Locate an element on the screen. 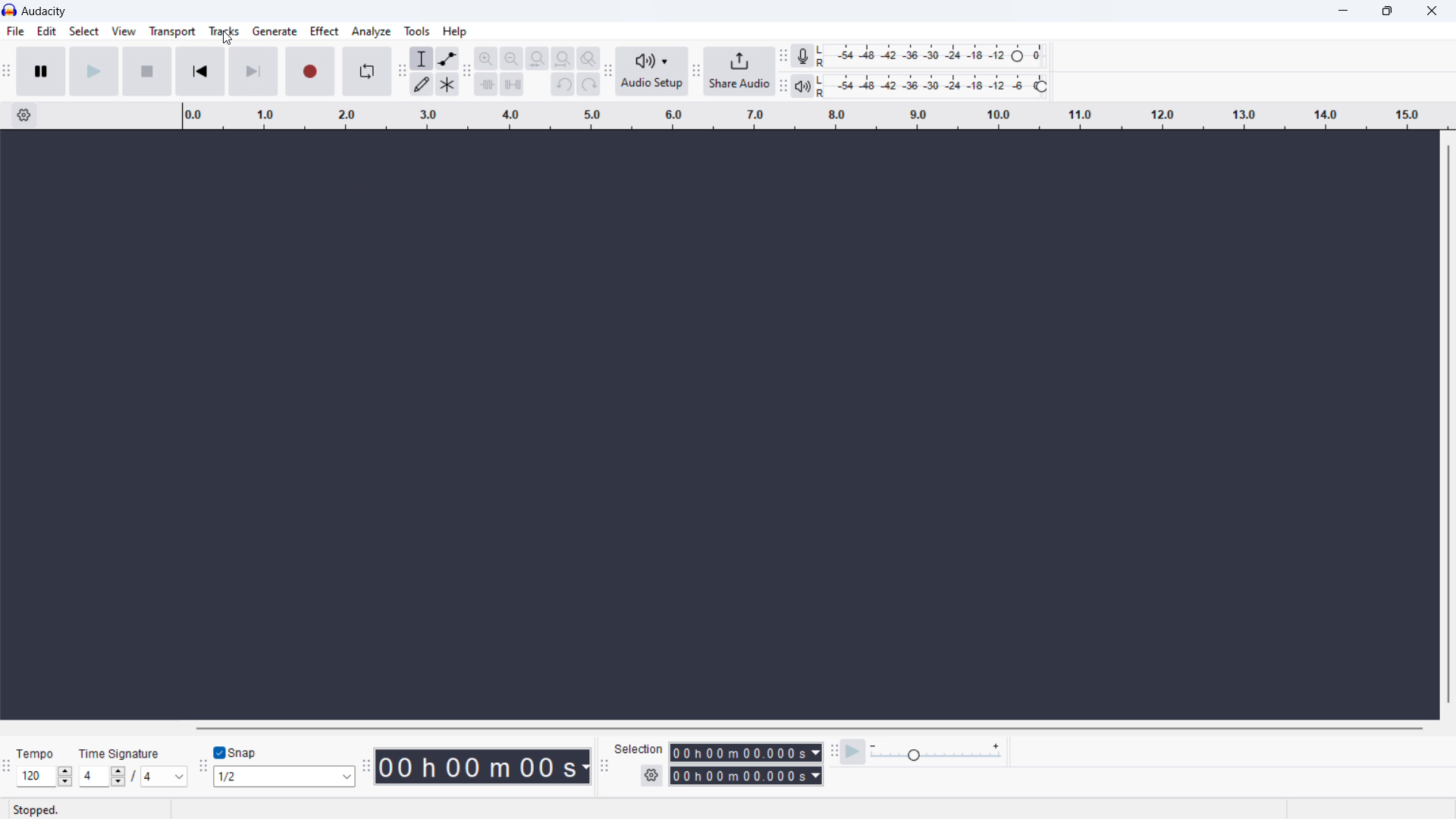 The height and width of the screenshot is (819, 1456). silence audio selection is located at coordinates (512, 85).